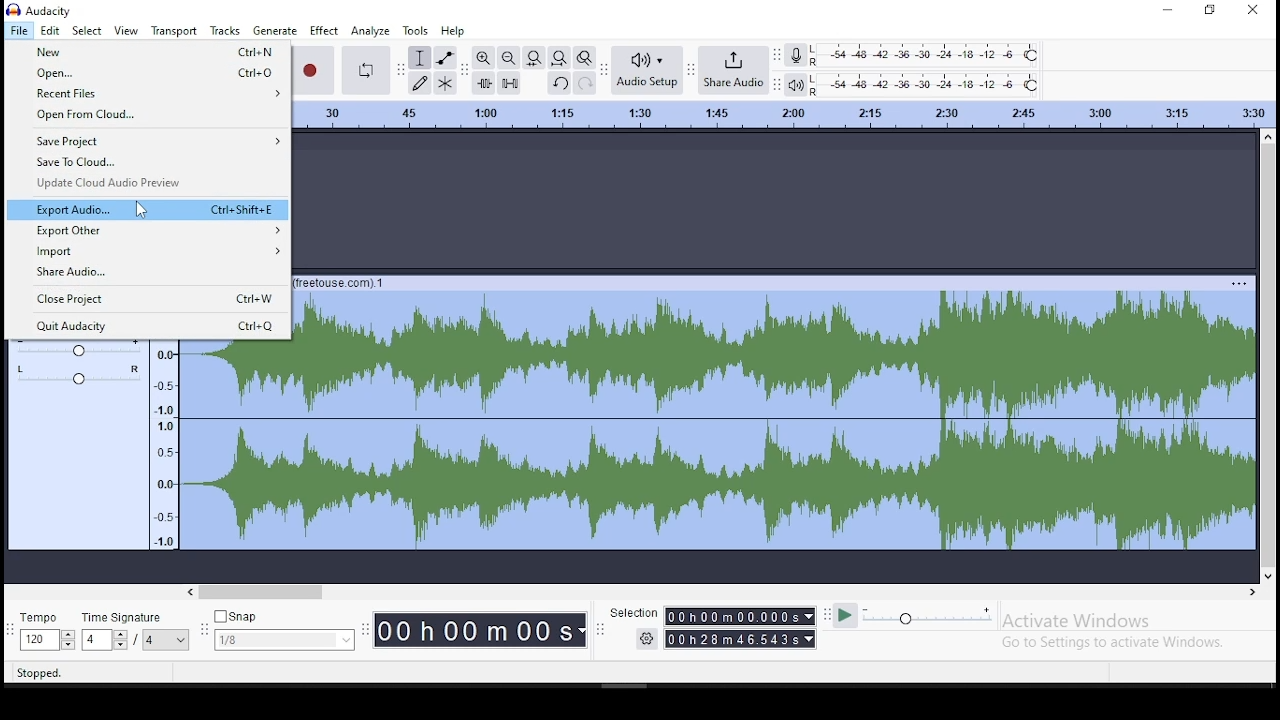 The image size is (1280, 720). I want to click on share audio, so click(730, 69).